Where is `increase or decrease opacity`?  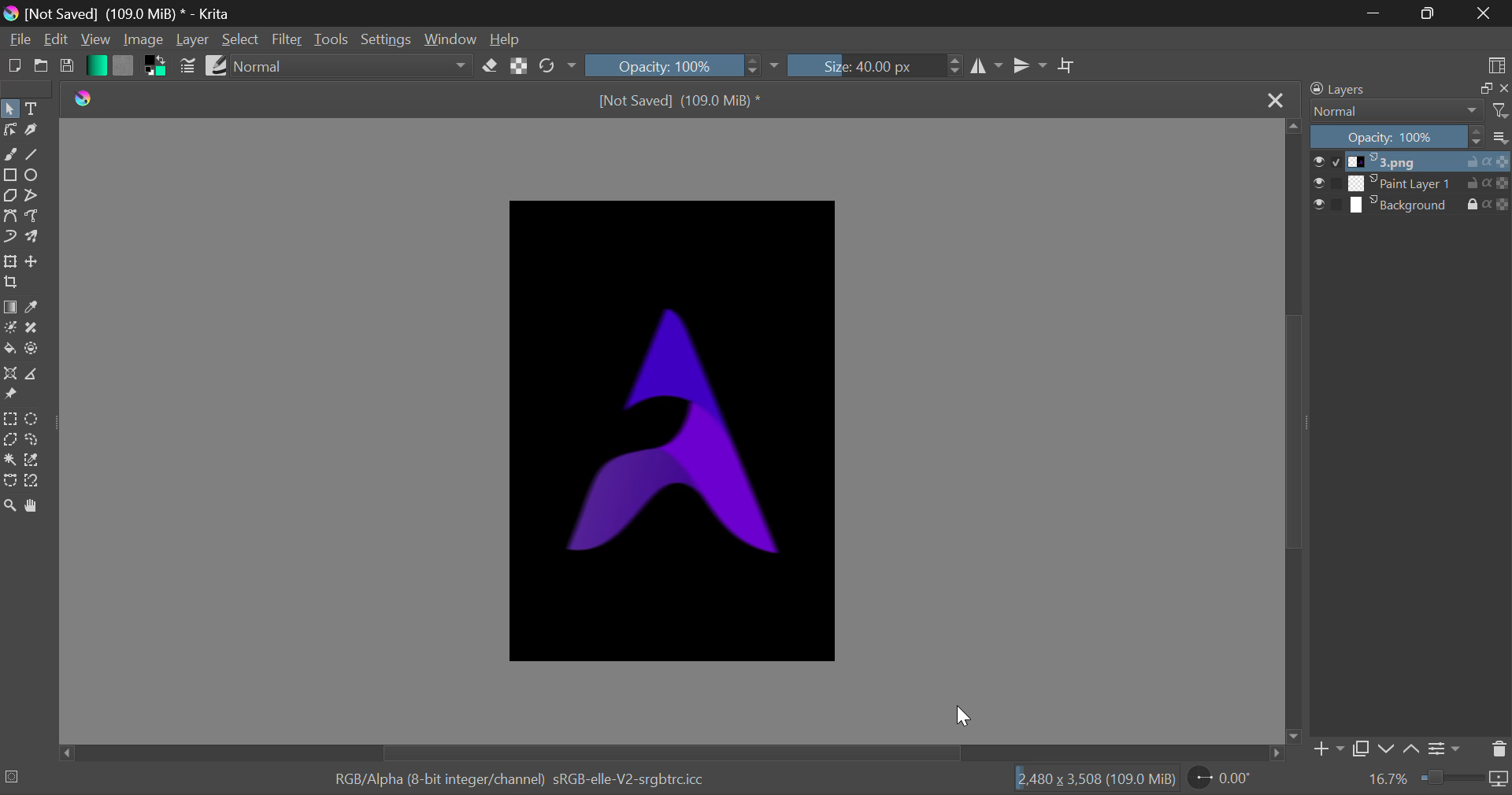 increase or decrease opacity is located at coordinates (754, 66).